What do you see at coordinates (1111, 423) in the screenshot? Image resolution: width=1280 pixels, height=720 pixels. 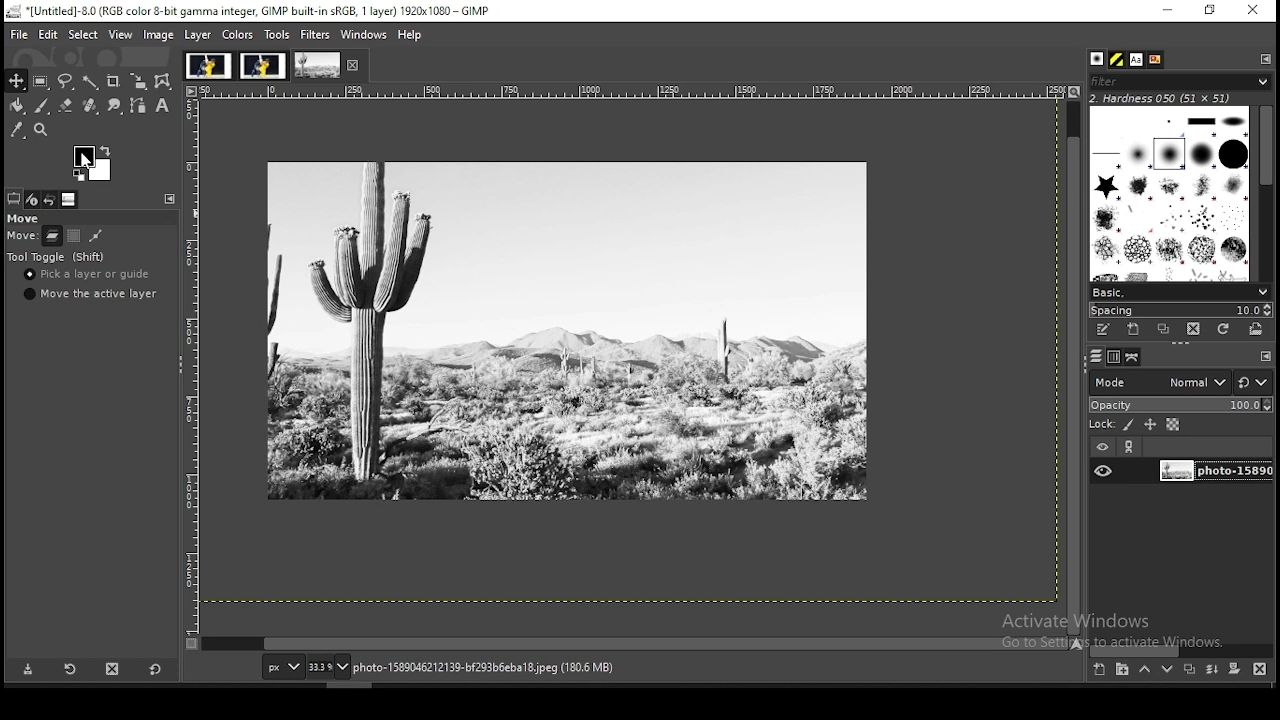 I see `lock pixels` at bounding box center [1111, 423].